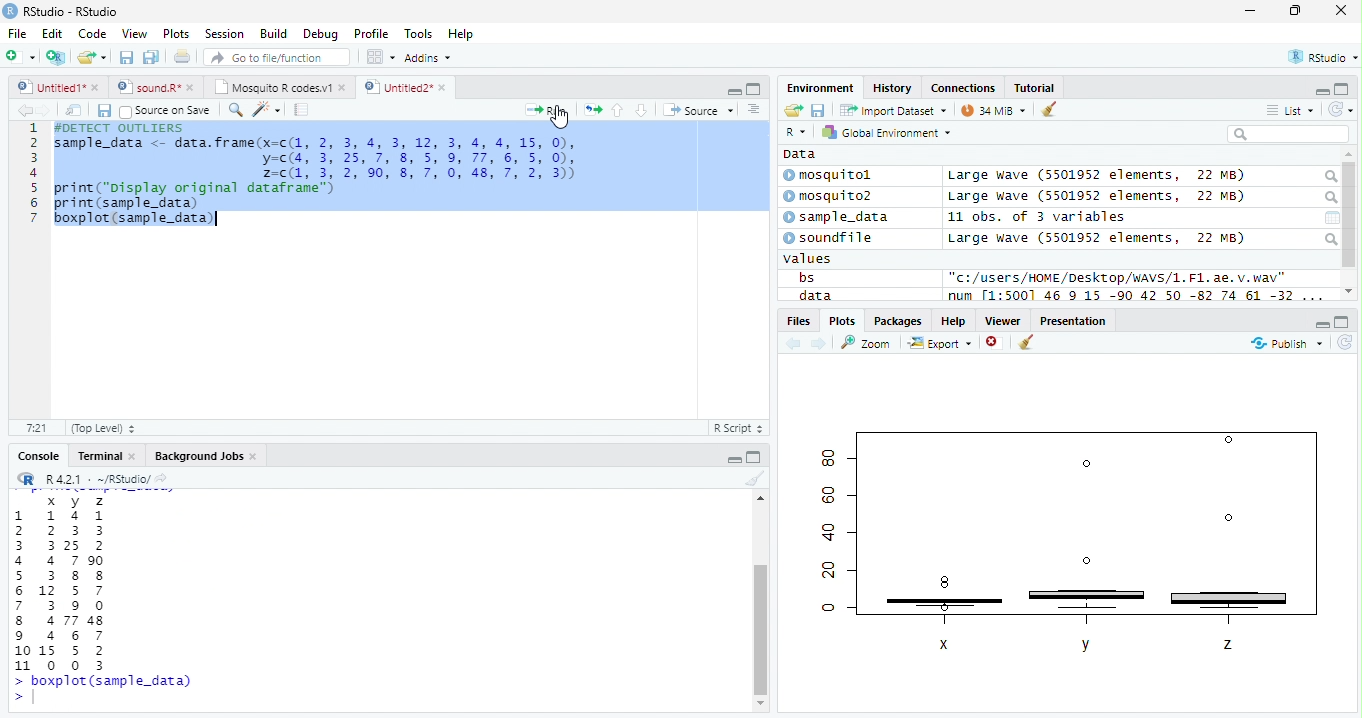 The width and height of the screenshot is (1362, 718). Describe the element at coordinates (1288, 133) in the screenshot. I see `search bar` at that location.